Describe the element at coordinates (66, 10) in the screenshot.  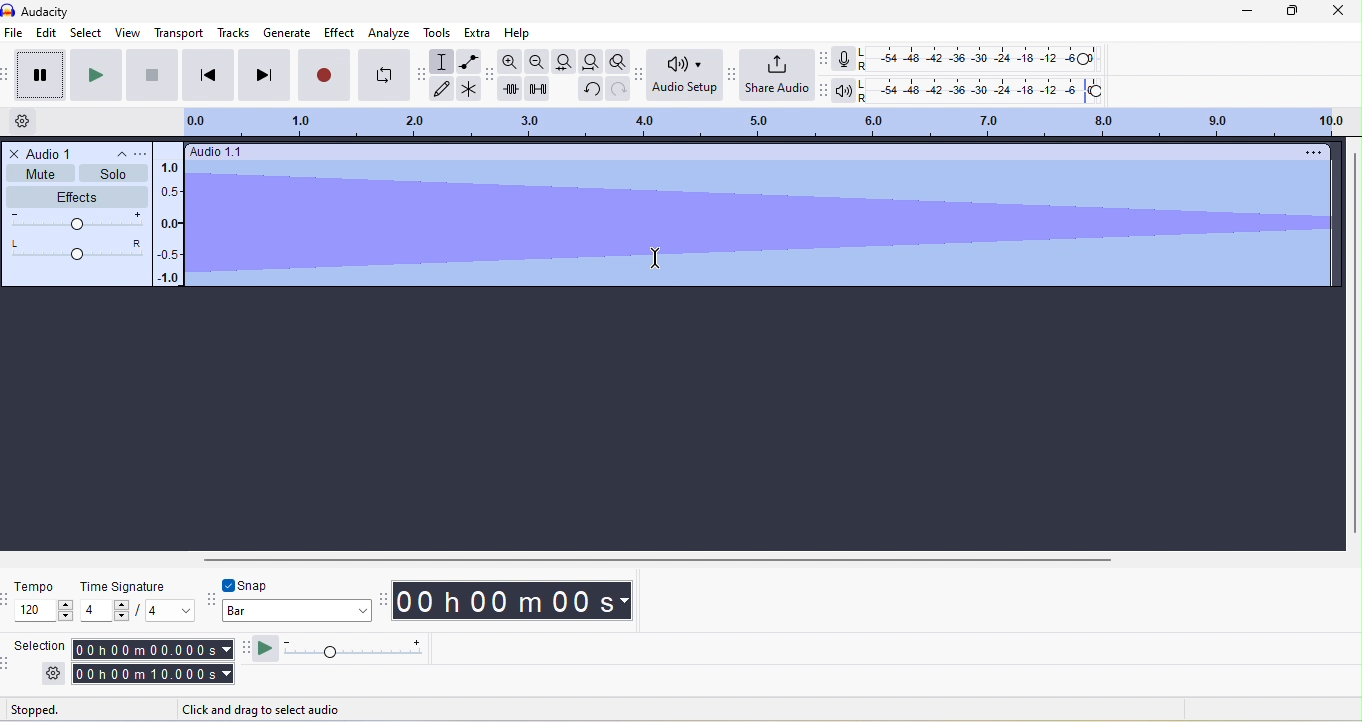
I see `title` at that location.